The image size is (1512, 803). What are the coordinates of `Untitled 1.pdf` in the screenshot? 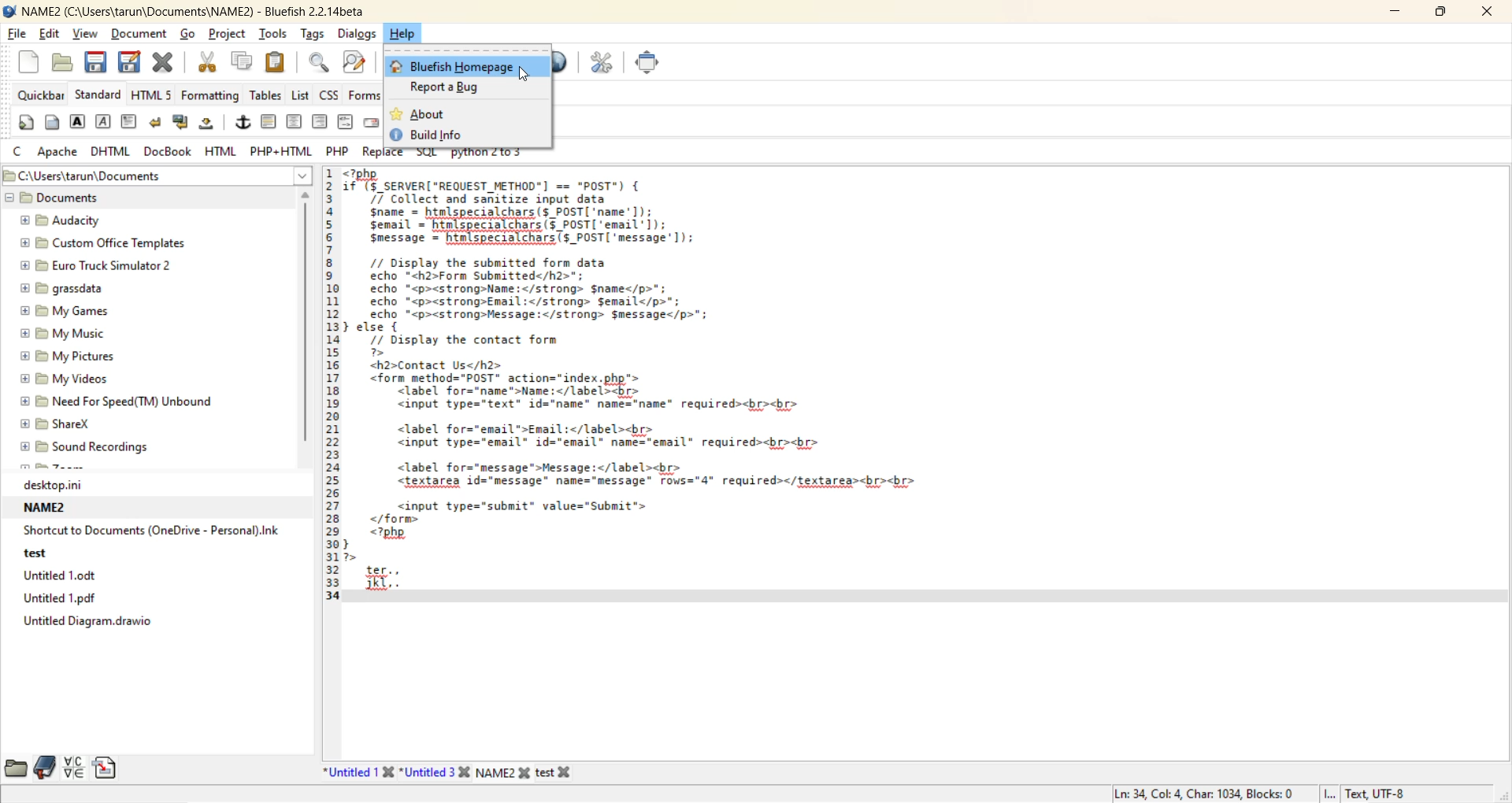 It's located at (56, 598).